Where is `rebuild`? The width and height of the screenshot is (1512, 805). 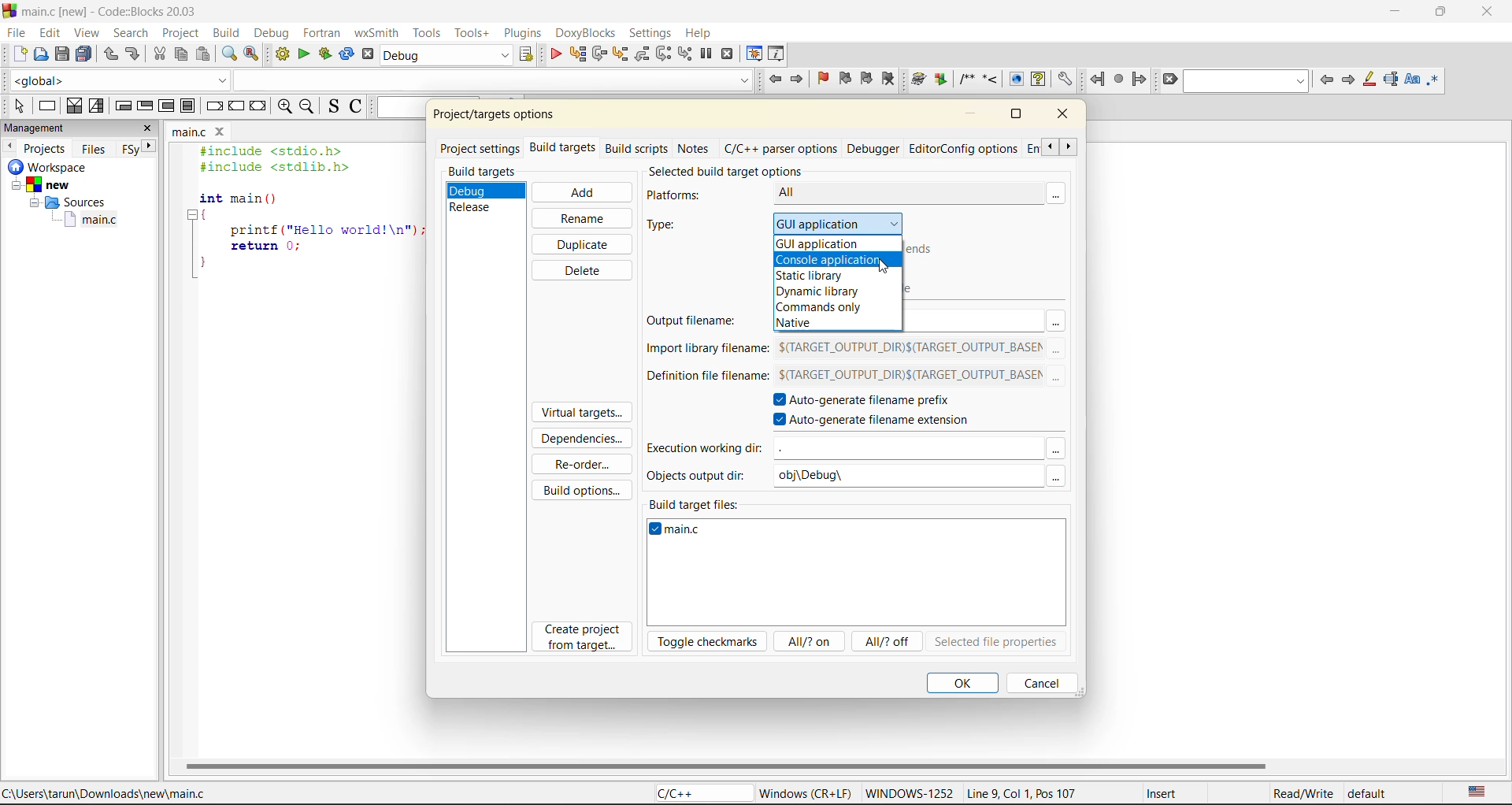 rebuild is located at coordinates (345, 54).